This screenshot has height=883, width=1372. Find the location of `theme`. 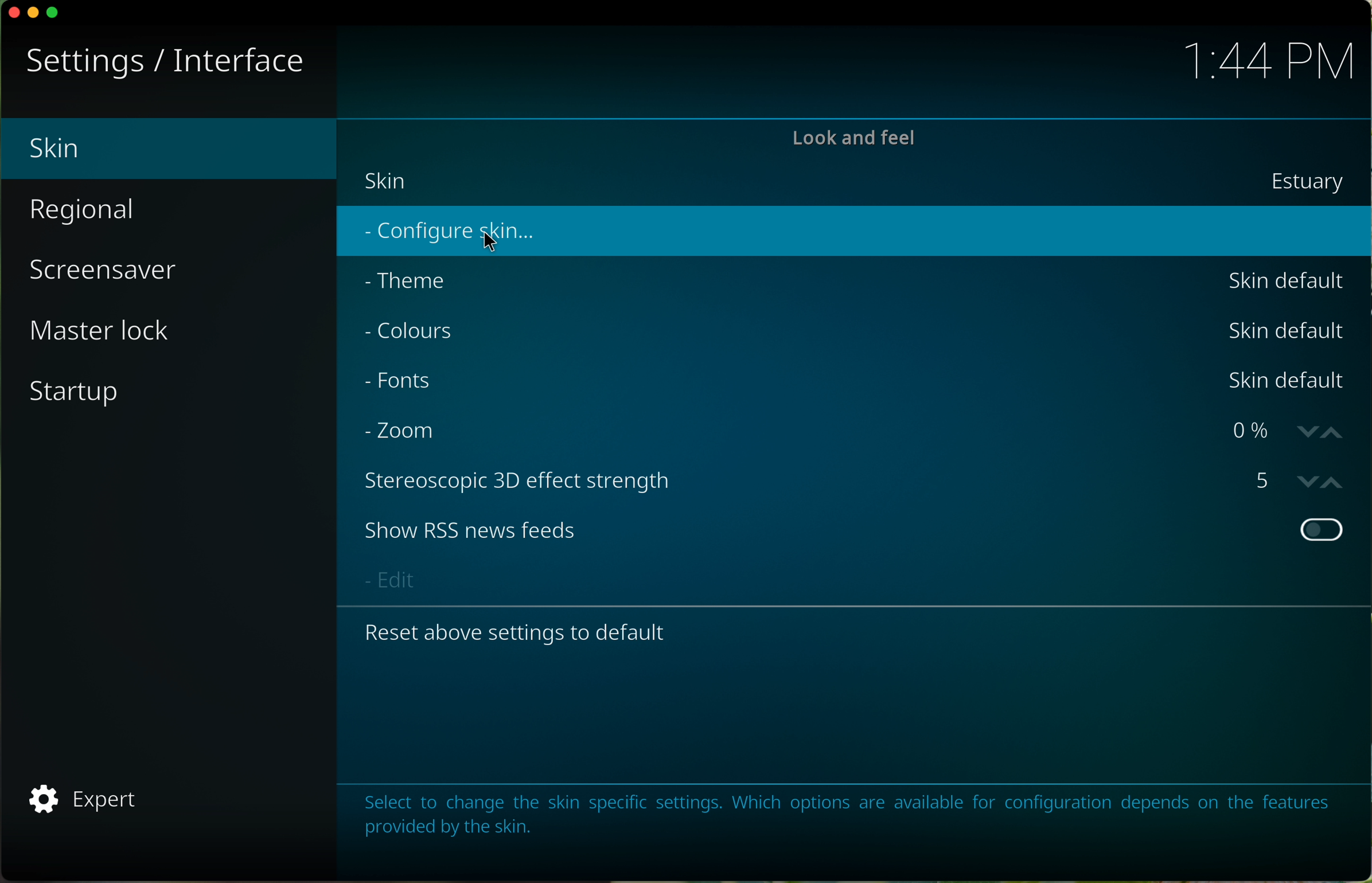

theme is located at coordinates (411, 283).